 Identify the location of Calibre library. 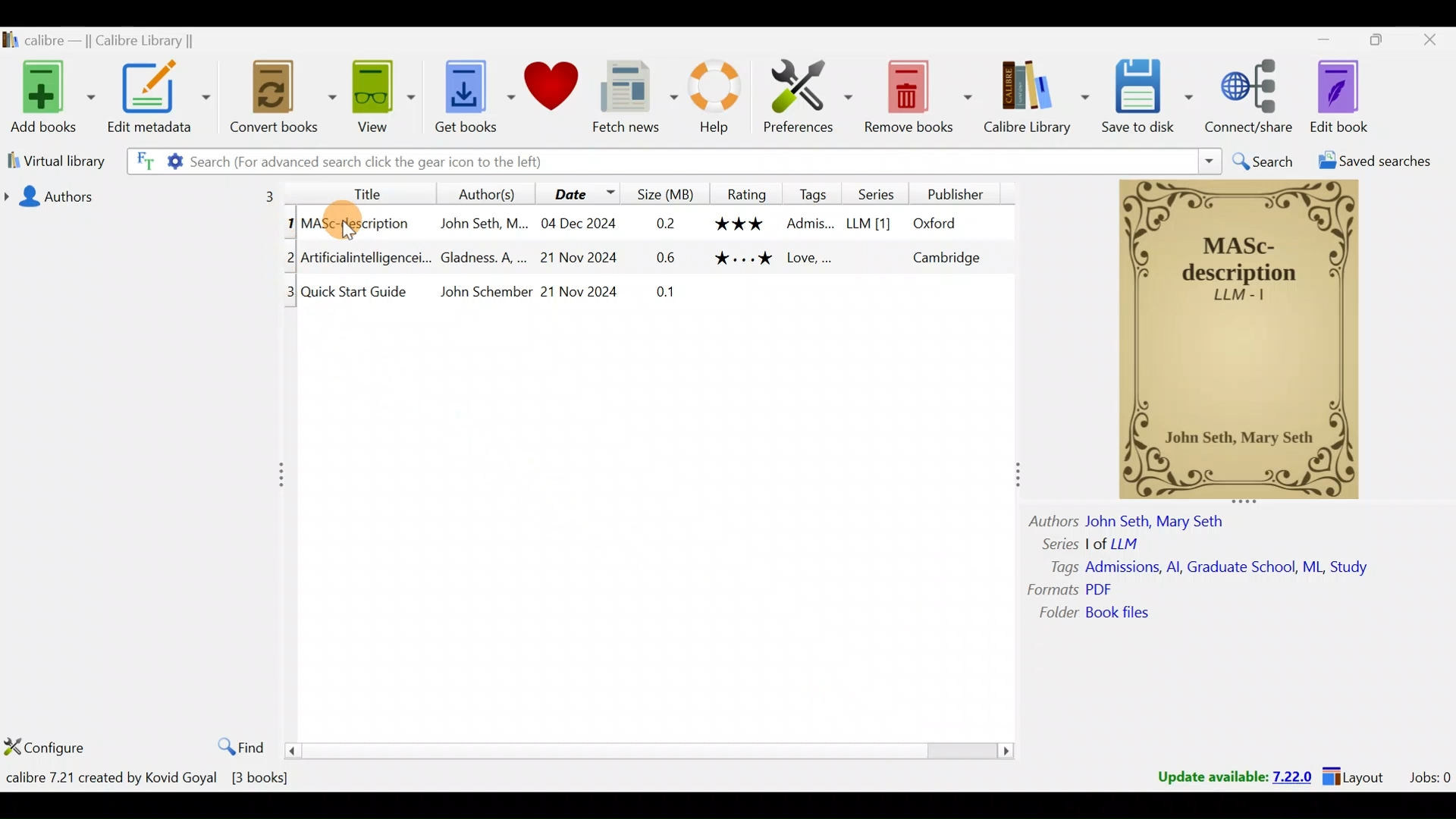
(1039, 101).